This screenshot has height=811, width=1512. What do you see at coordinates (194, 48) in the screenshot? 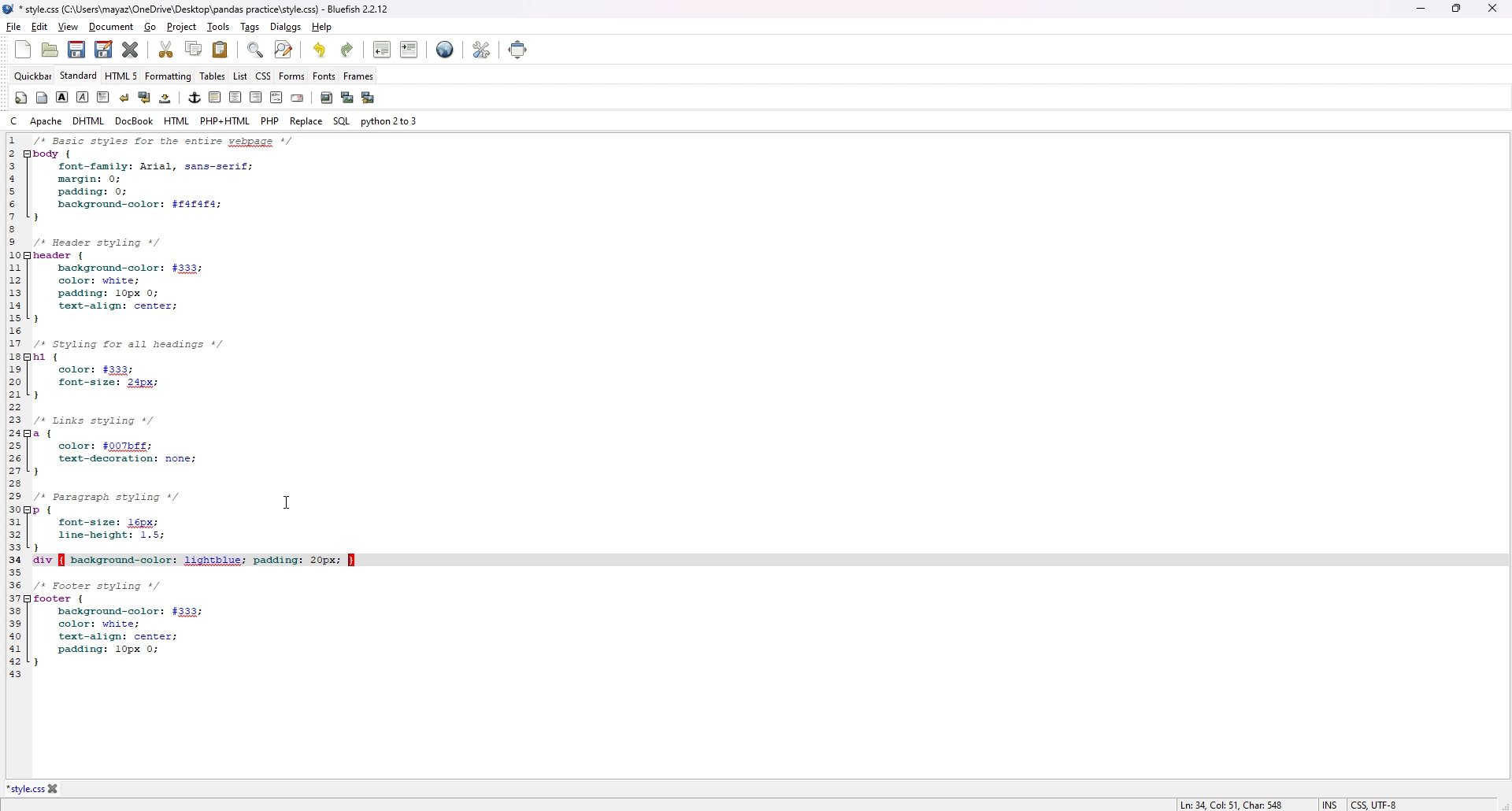
I see `copy` at bounding box center [194, 48].